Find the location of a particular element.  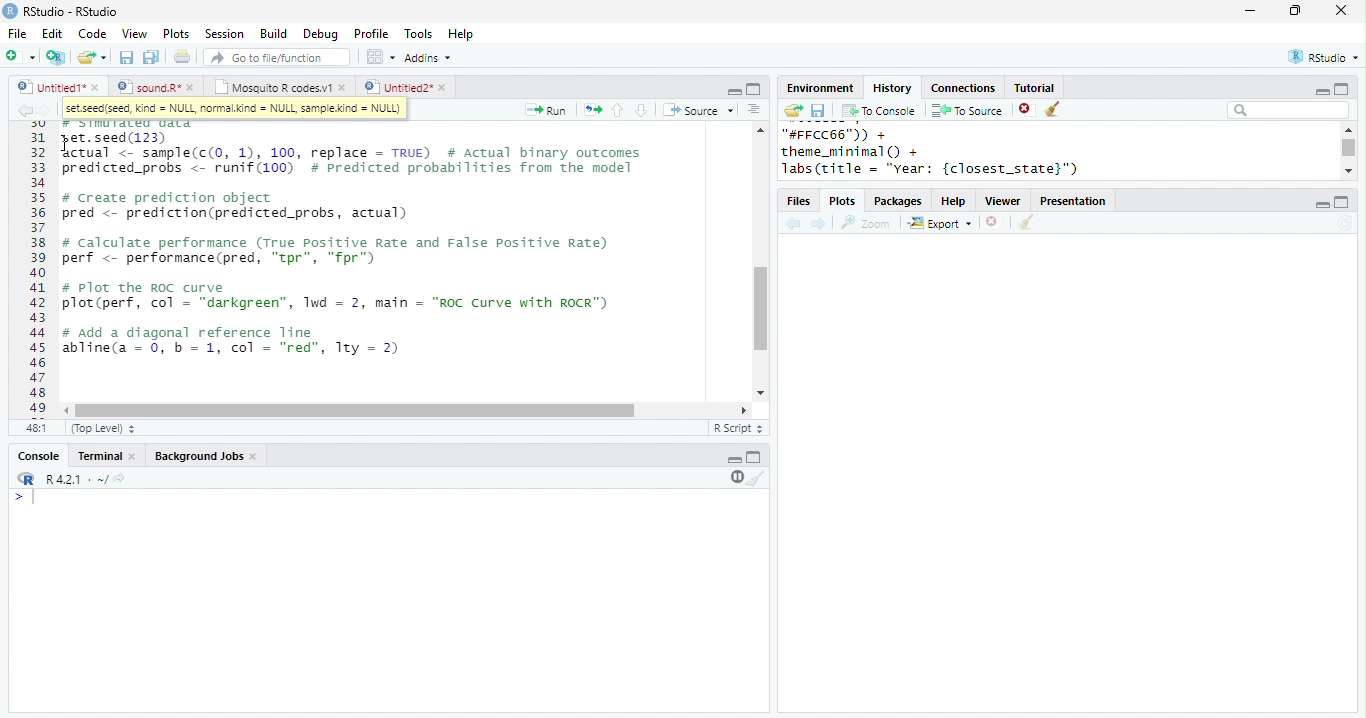

To console is located at coordinates (879, 111).